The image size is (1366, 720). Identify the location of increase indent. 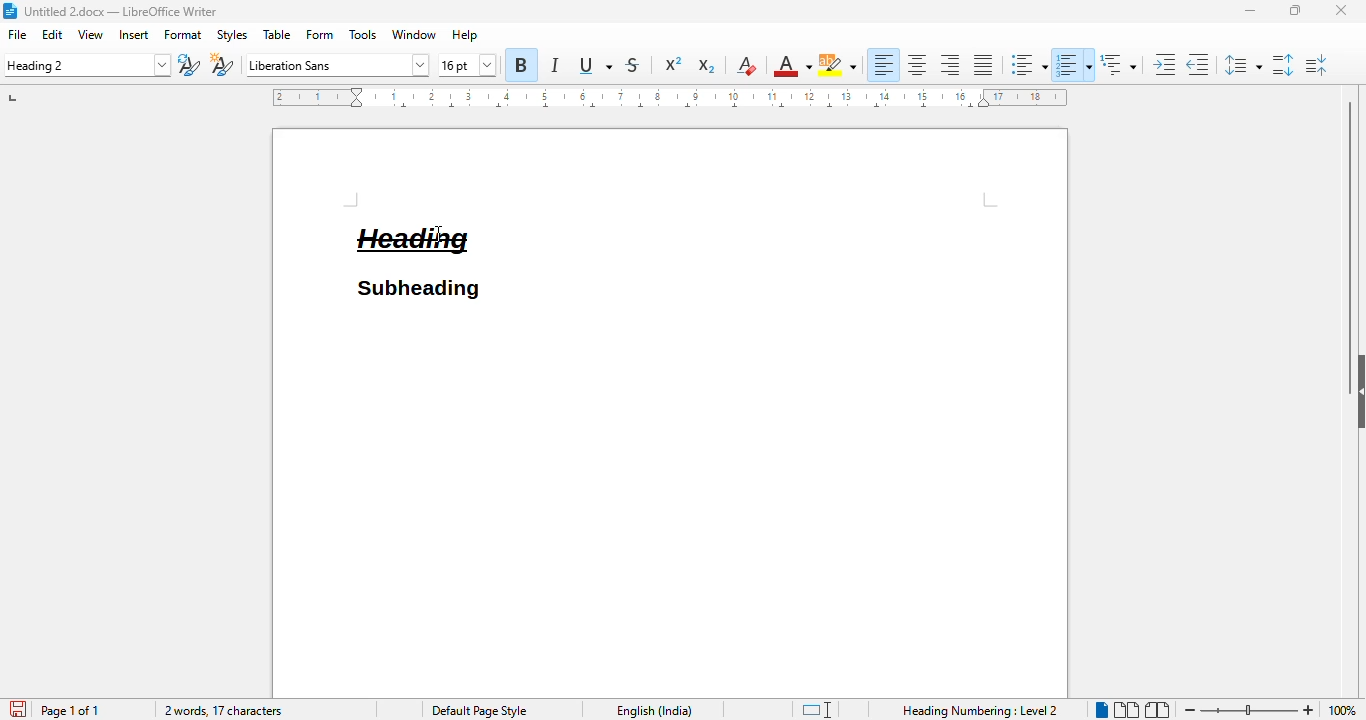
(1165, 64).